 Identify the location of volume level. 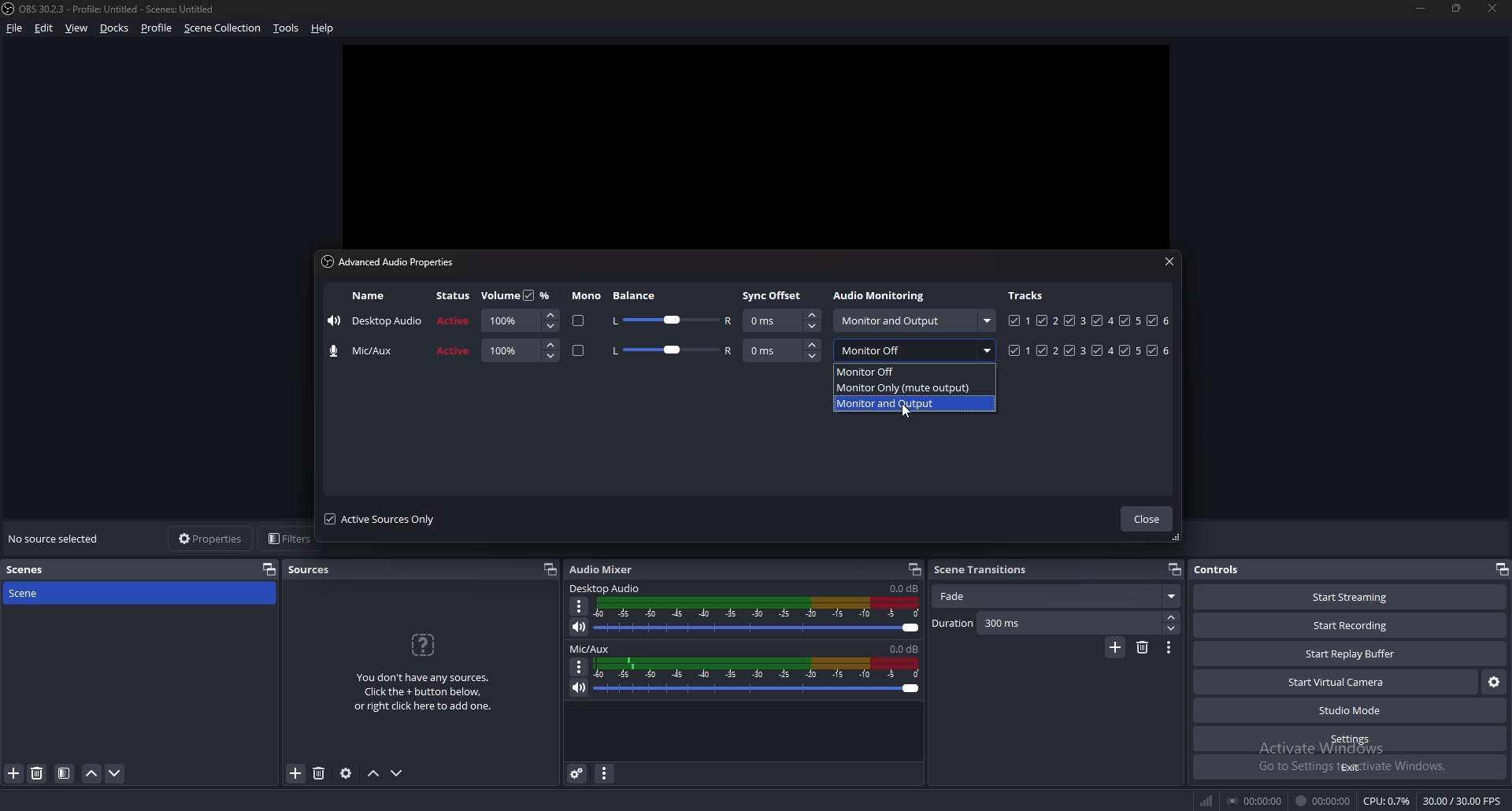
(905, 648).